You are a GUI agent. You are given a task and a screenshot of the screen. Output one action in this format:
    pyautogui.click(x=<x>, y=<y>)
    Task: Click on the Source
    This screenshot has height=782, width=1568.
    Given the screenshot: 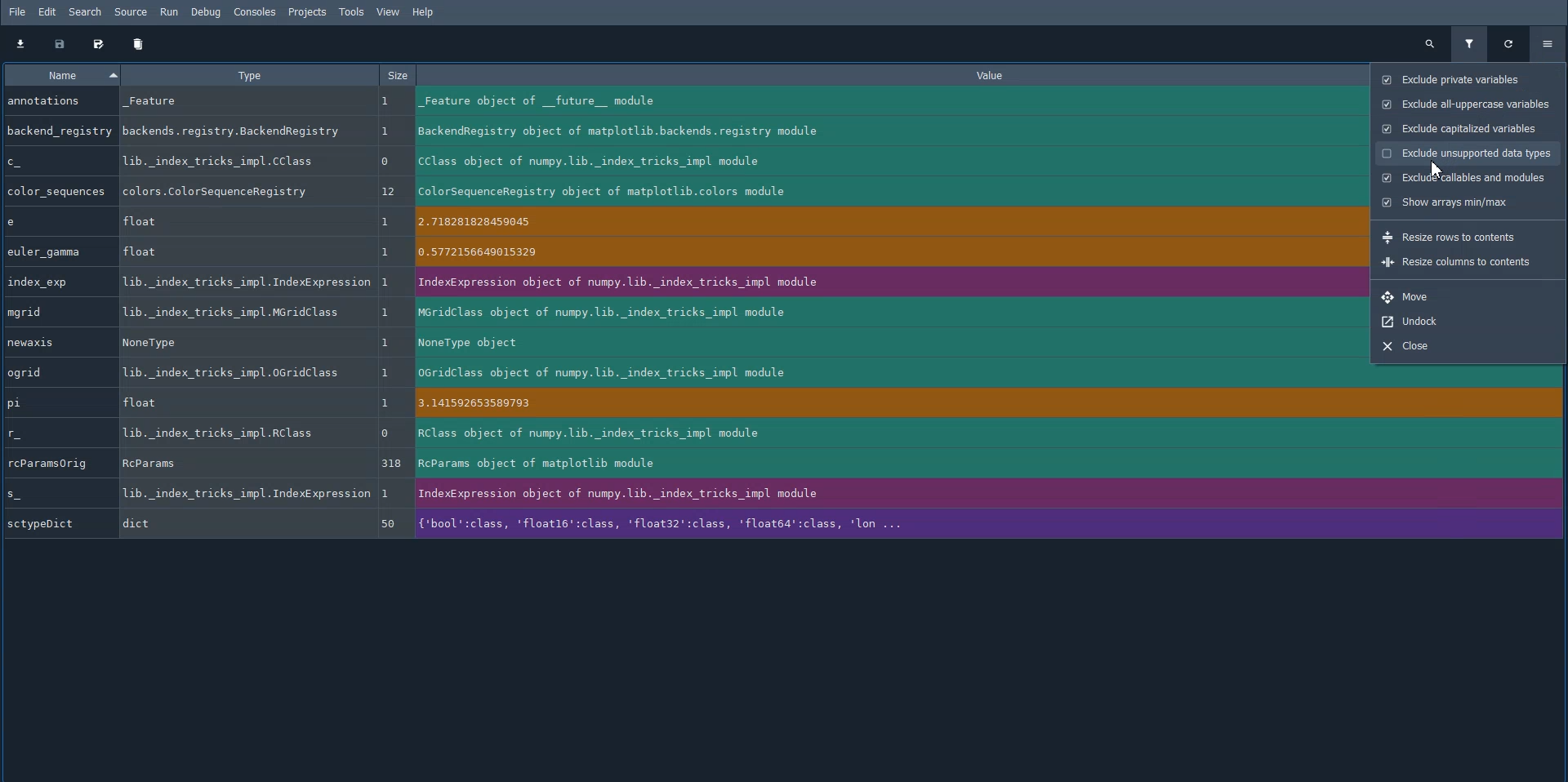 What is the action you would take?
    pyautogui.click(x=132, y=12)
    